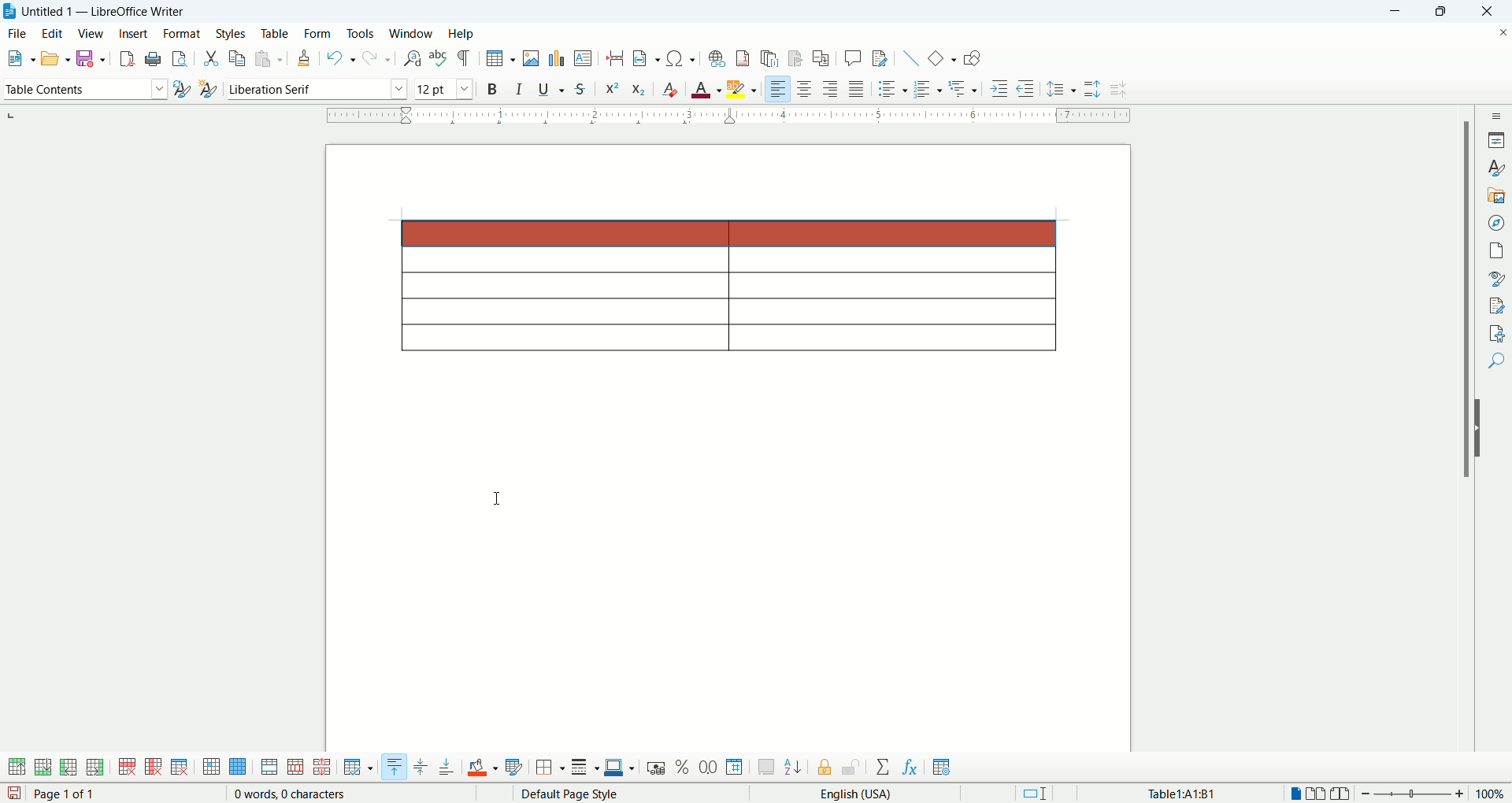  Describe the element at coordinates (1497, 333) in the screenshot. I see `accessibility check` at that location.